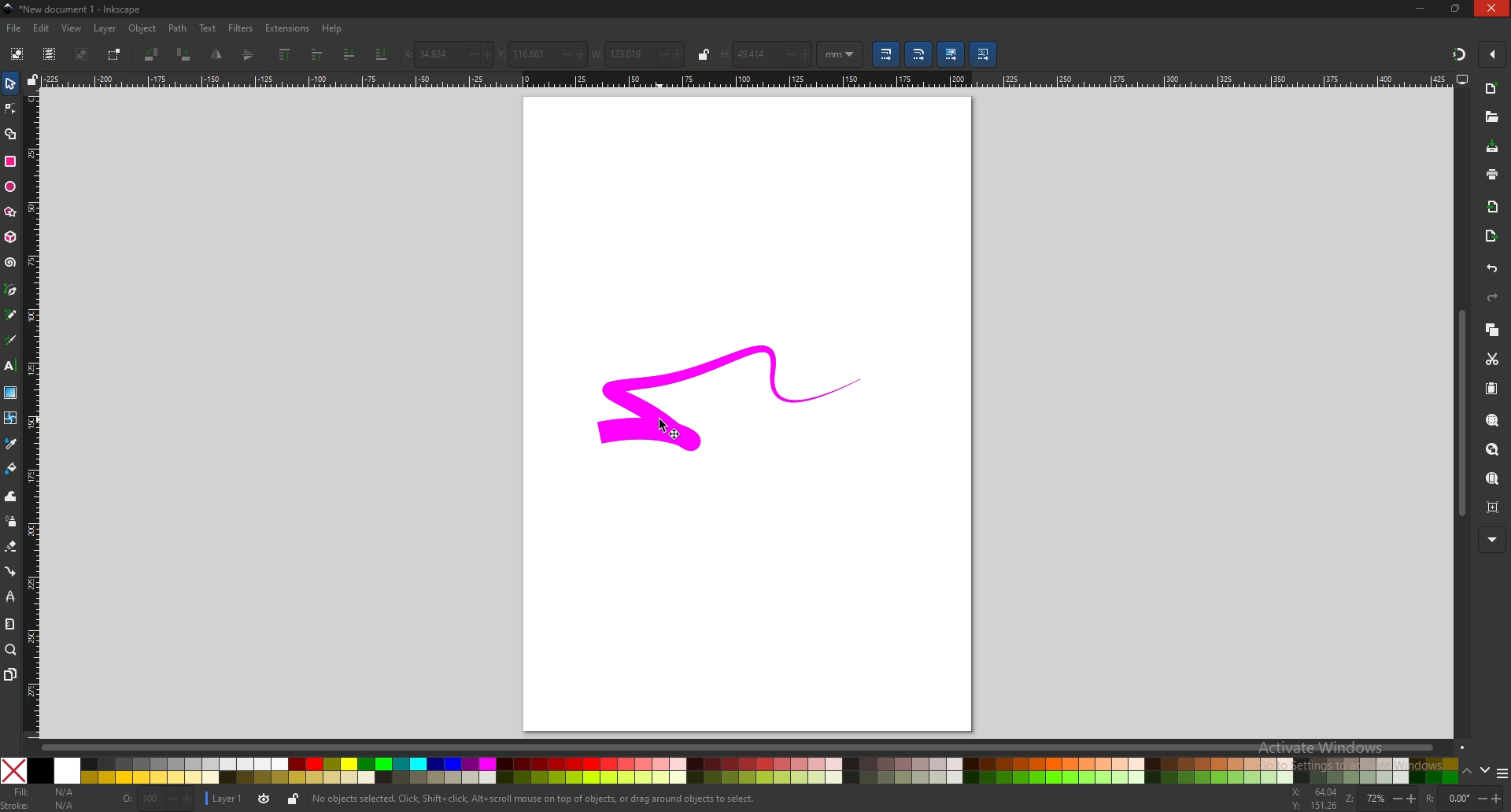 Image resolution: width=1511 pixels, height=812 pixels. I want to click on scroll bar, so click(1462, 415).